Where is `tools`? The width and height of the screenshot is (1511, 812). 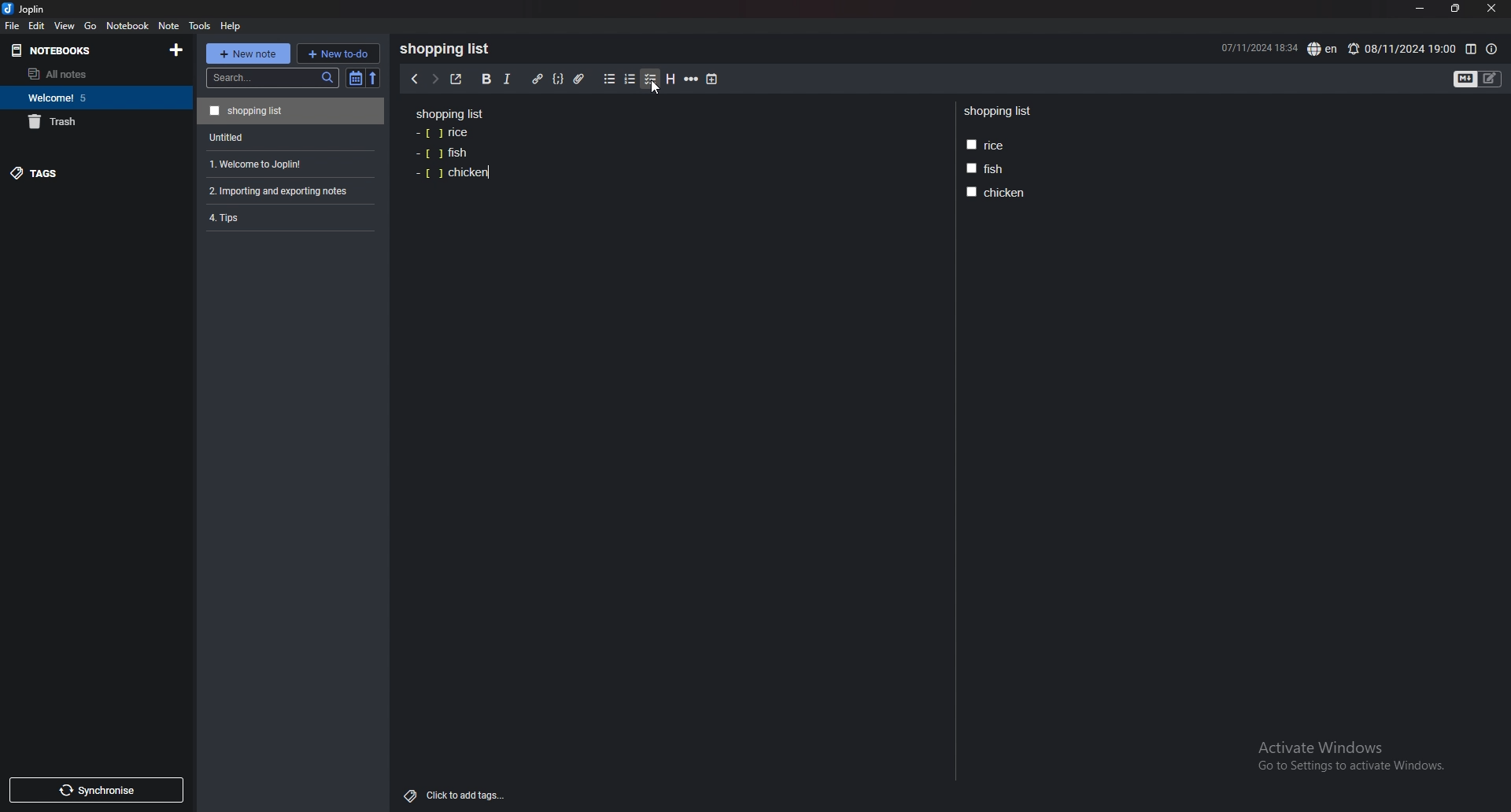 tools is located at coordinates (199, 26).